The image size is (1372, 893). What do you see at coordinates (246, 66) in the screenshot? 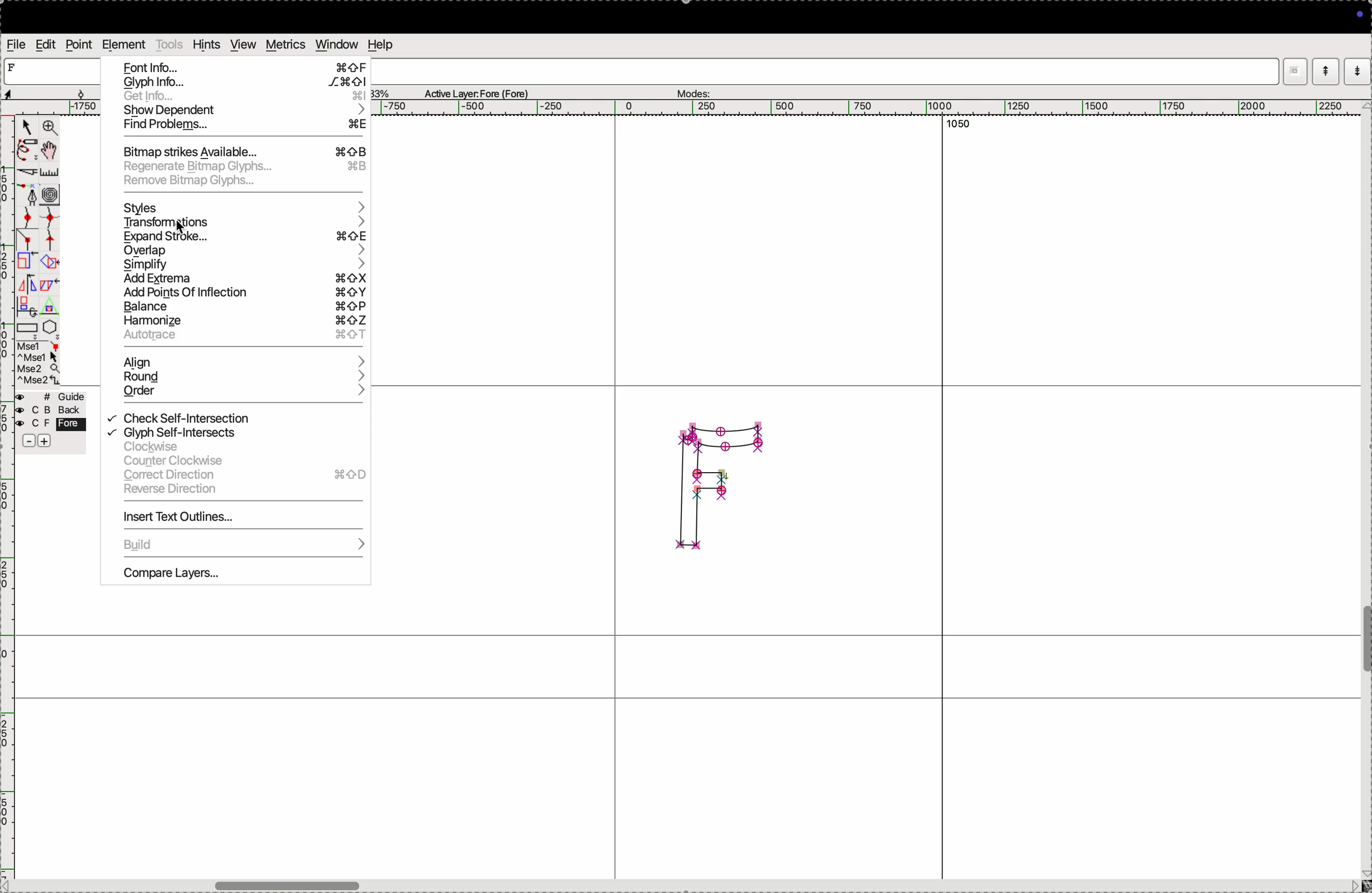
I see `font info` at bounding box center [246, 66].